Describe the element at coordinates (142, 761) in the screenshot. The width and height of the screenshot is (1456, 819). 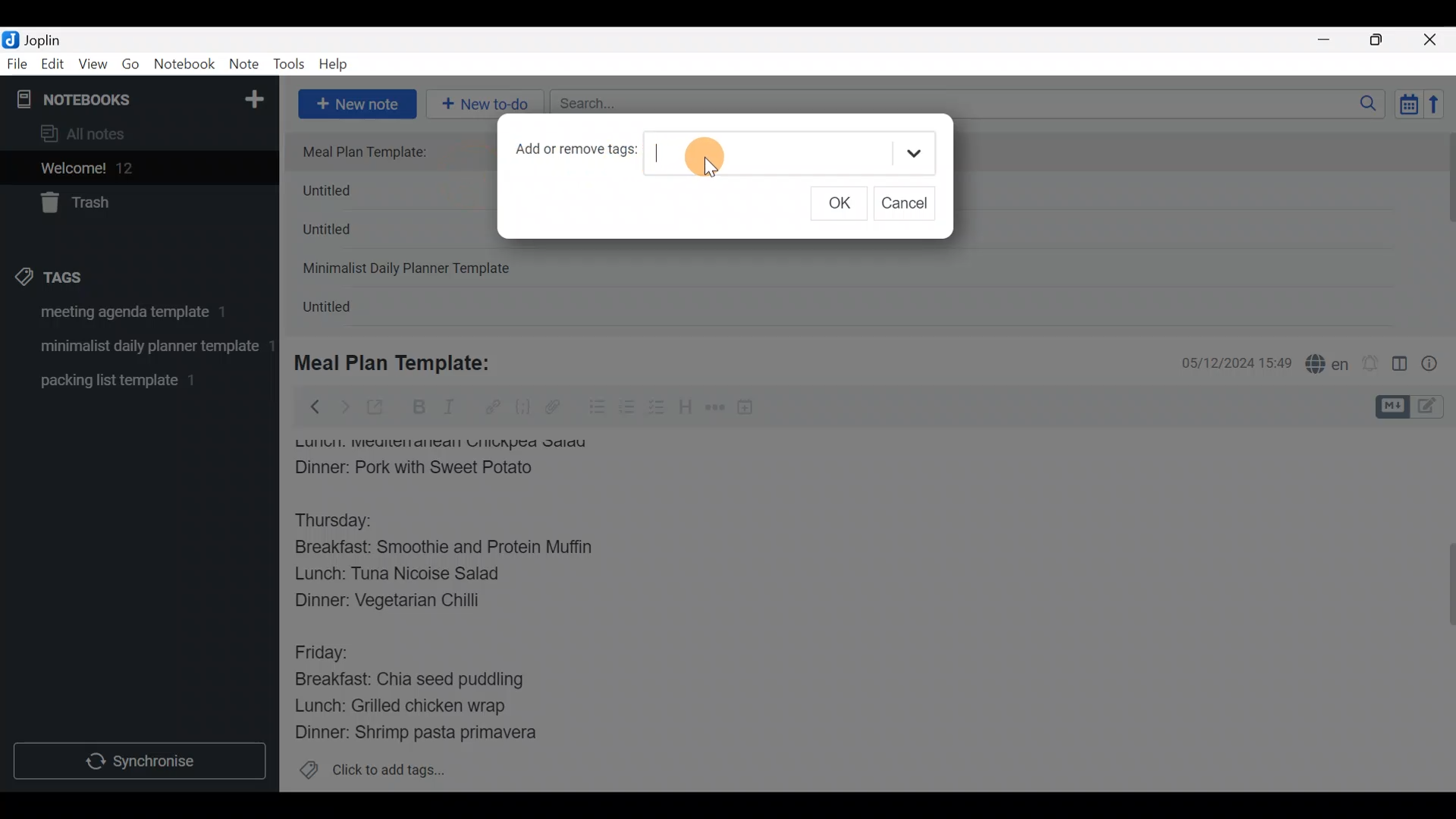
I see `Synchronize` at that location.